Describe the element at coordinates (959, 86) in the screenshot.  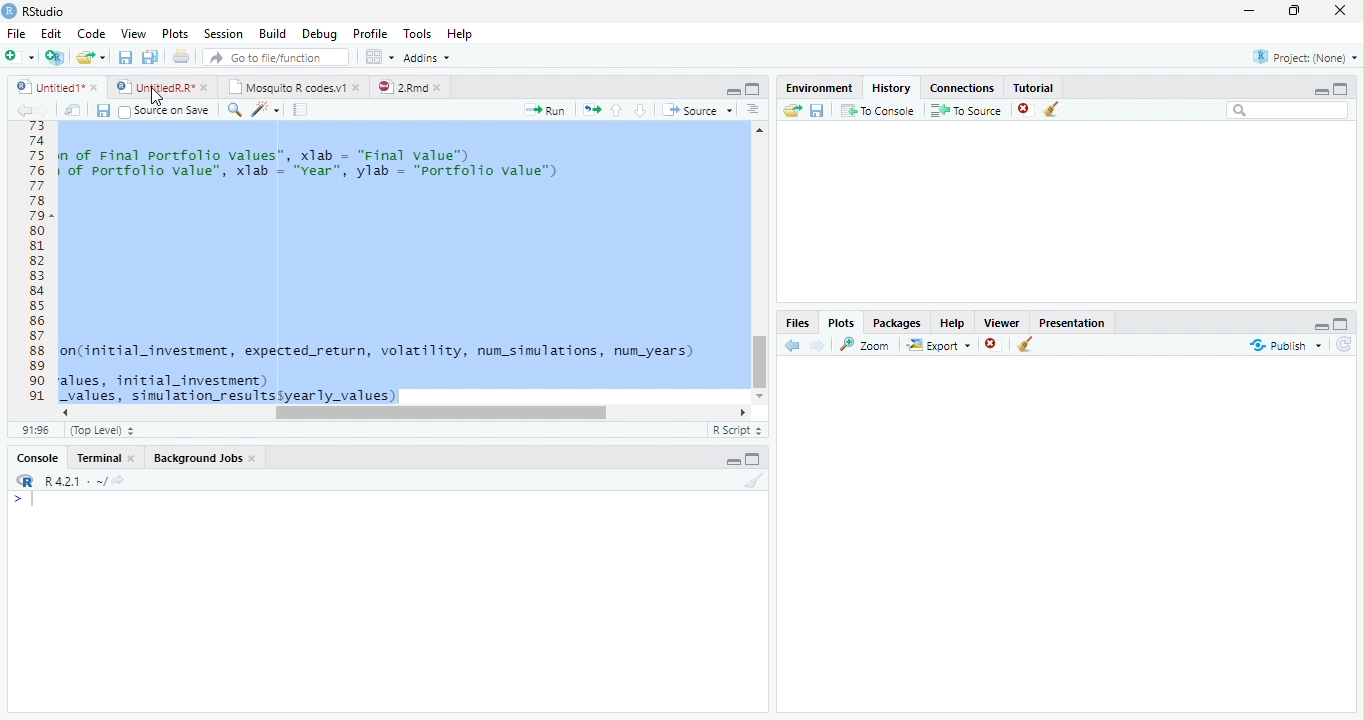
I see `‘Connections` at that location.